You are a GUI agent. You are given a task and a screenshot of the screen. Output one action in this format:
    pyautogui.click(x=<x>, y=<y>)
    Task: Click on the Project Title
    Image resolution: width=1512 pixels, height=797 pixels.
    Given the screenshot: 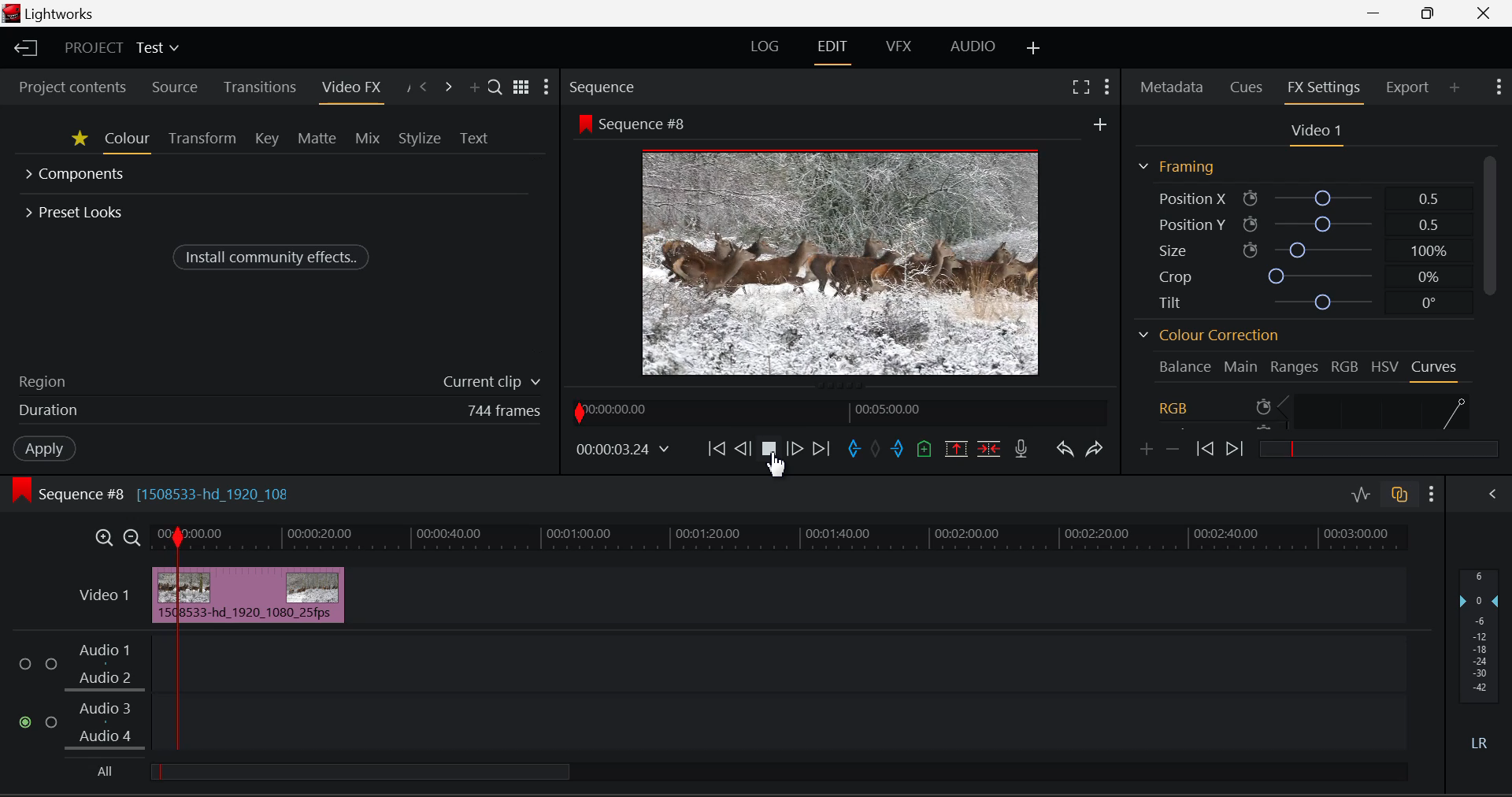 What is the action you would take?
    pyautogui.click(x=121, y=49)
    